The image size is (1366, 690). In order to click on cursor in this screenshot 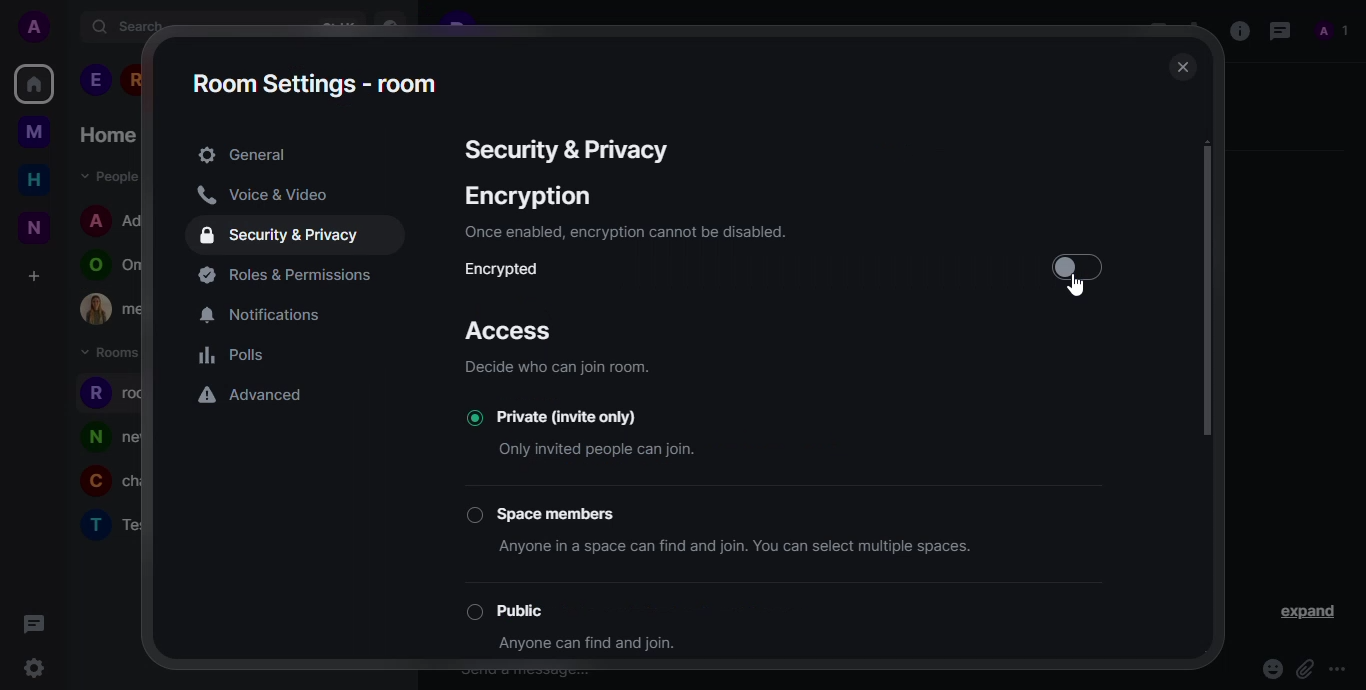, I will do `click(1080, 288)`.